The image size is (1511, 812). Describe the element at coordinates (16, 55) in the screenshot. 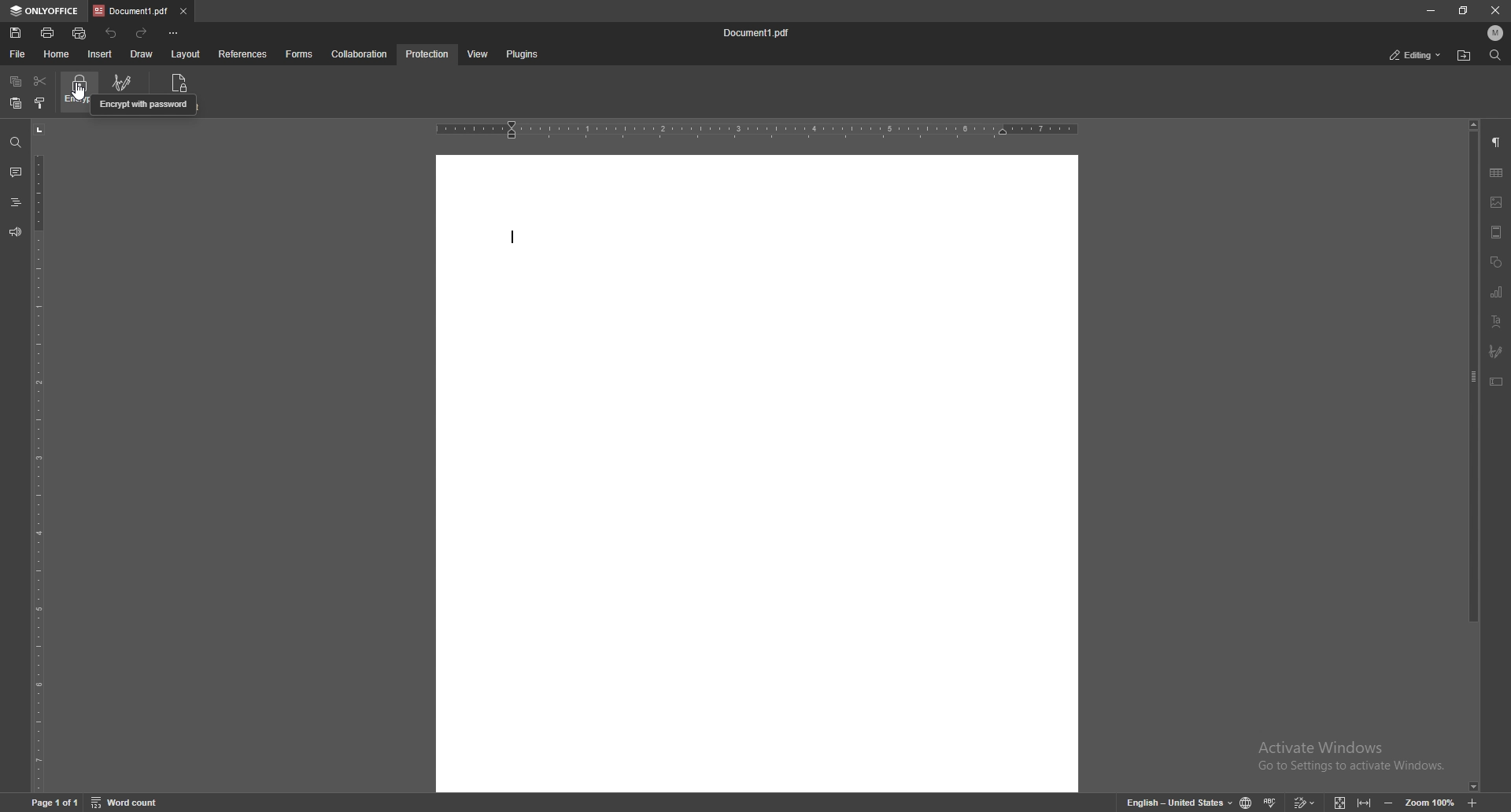

I see `file` at that location.